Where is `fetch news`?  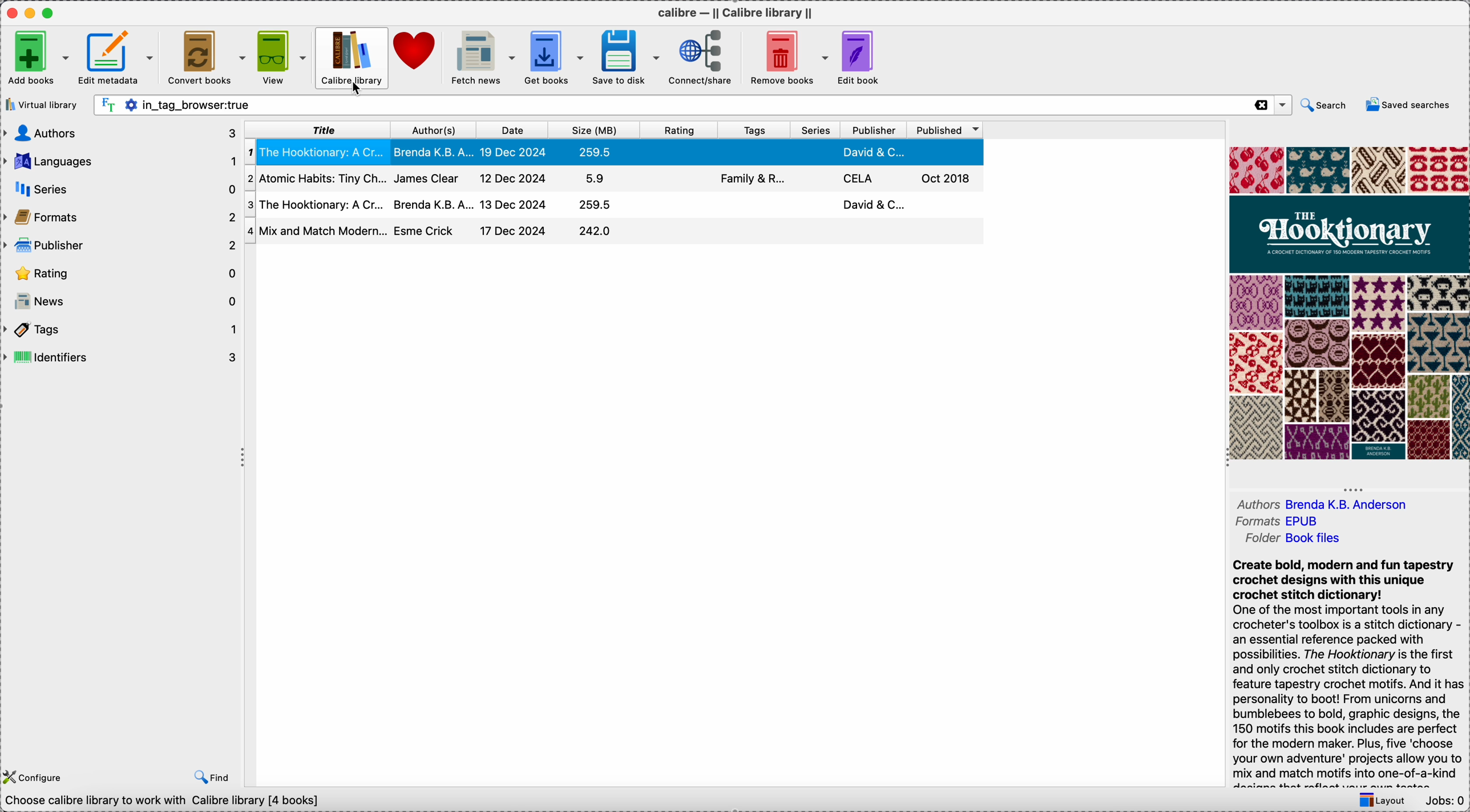 fetch news is located at coordinates (481, 58).